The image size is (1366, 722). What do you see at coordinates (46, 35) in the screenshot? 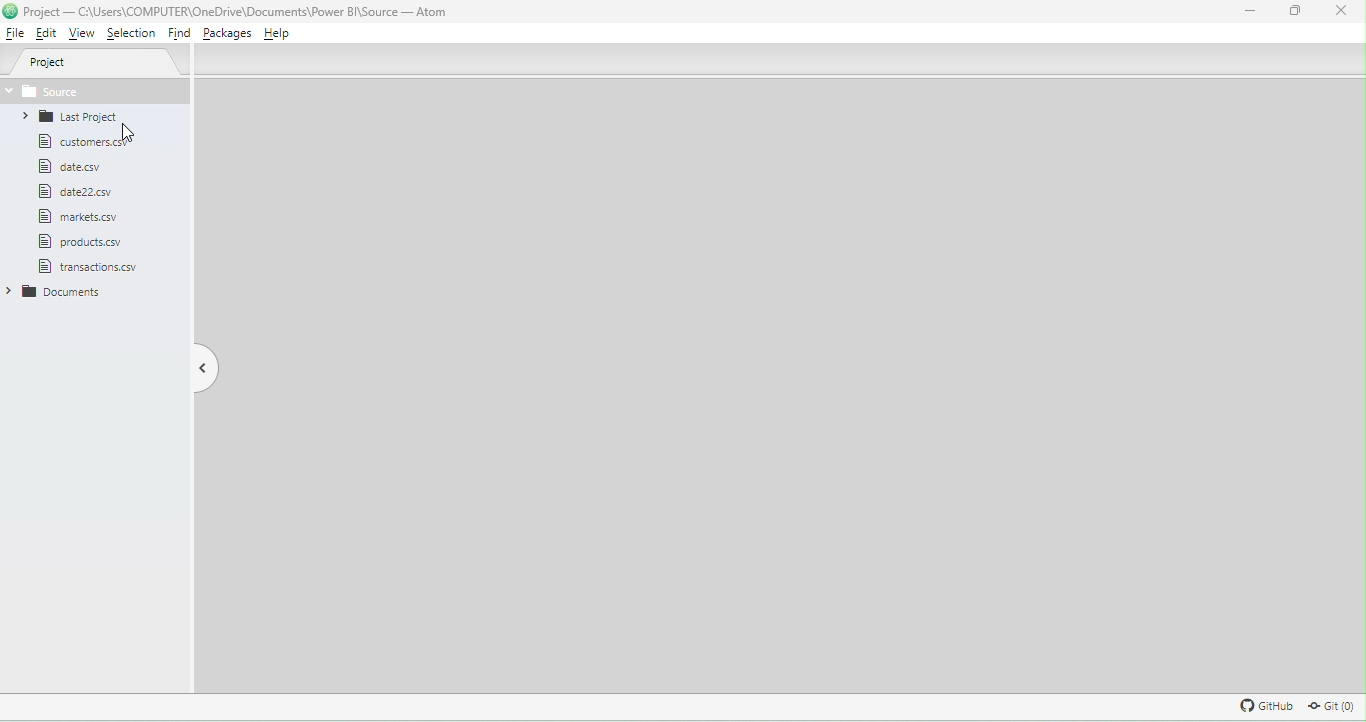
I see `Edit` at bounding box center [46, 35].